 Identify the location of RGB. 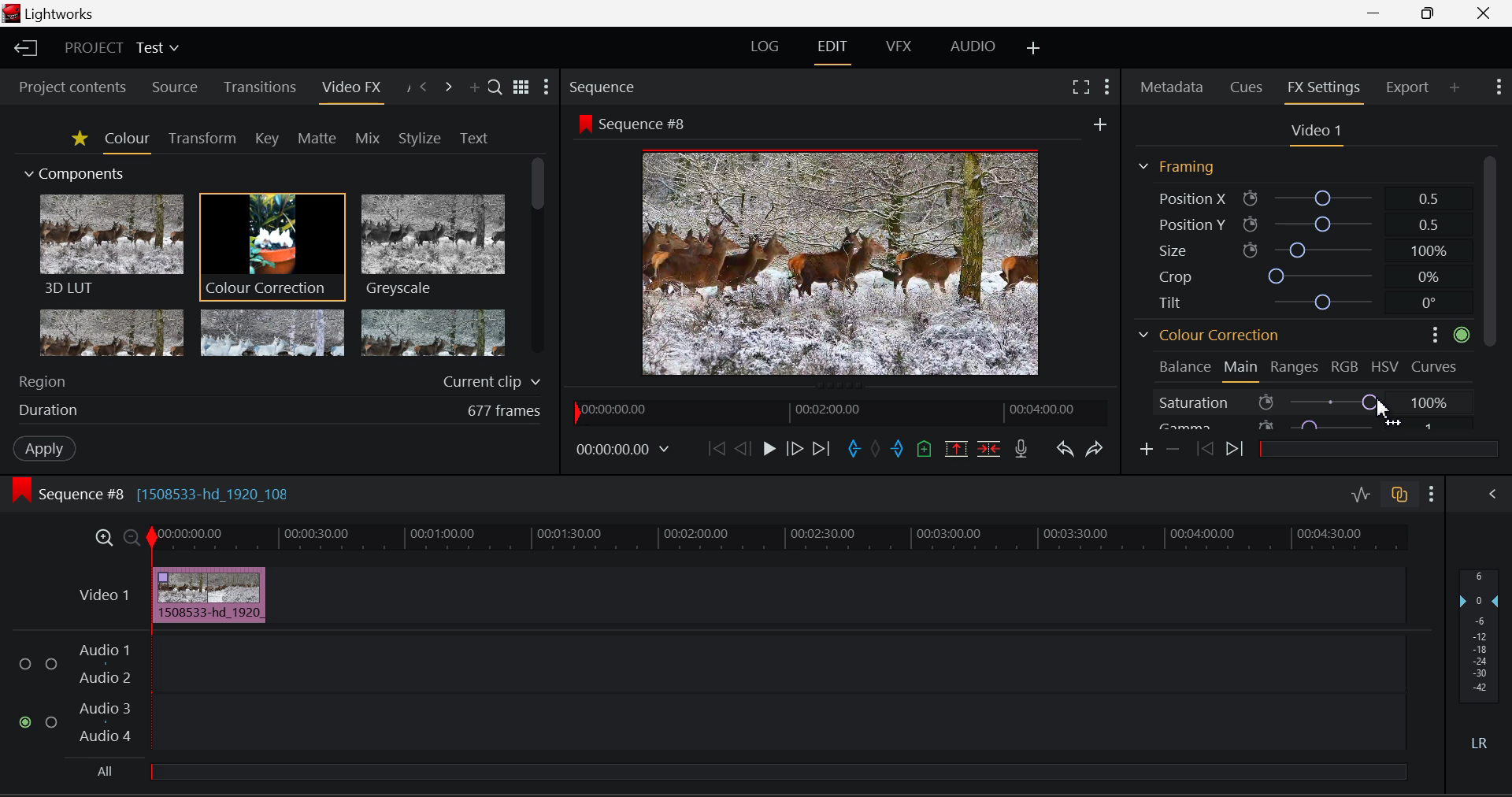
(1345, 366).